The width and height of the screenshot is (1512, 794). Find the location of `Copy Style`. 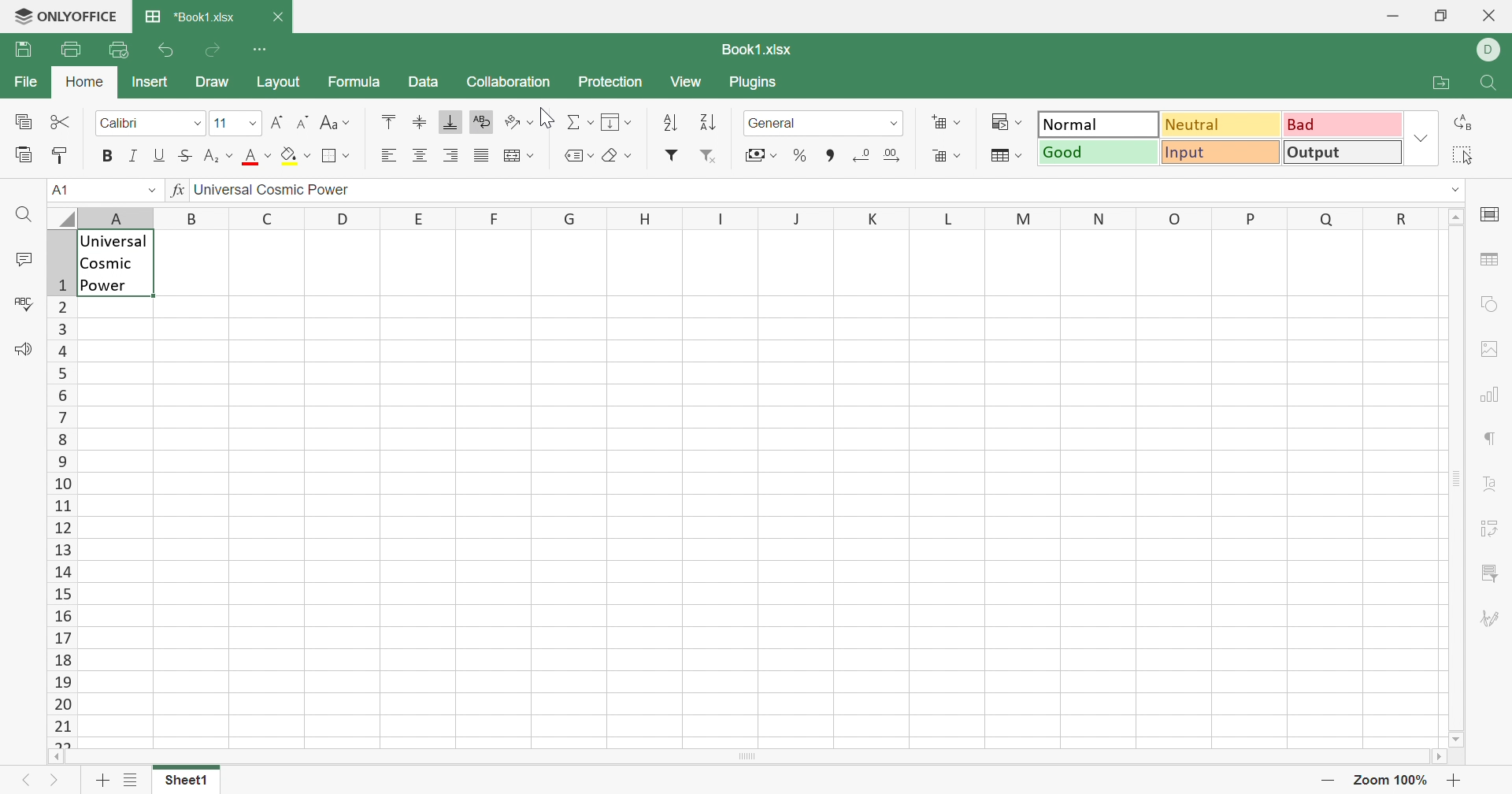

Copy Style is located at coordinates (58, 157).